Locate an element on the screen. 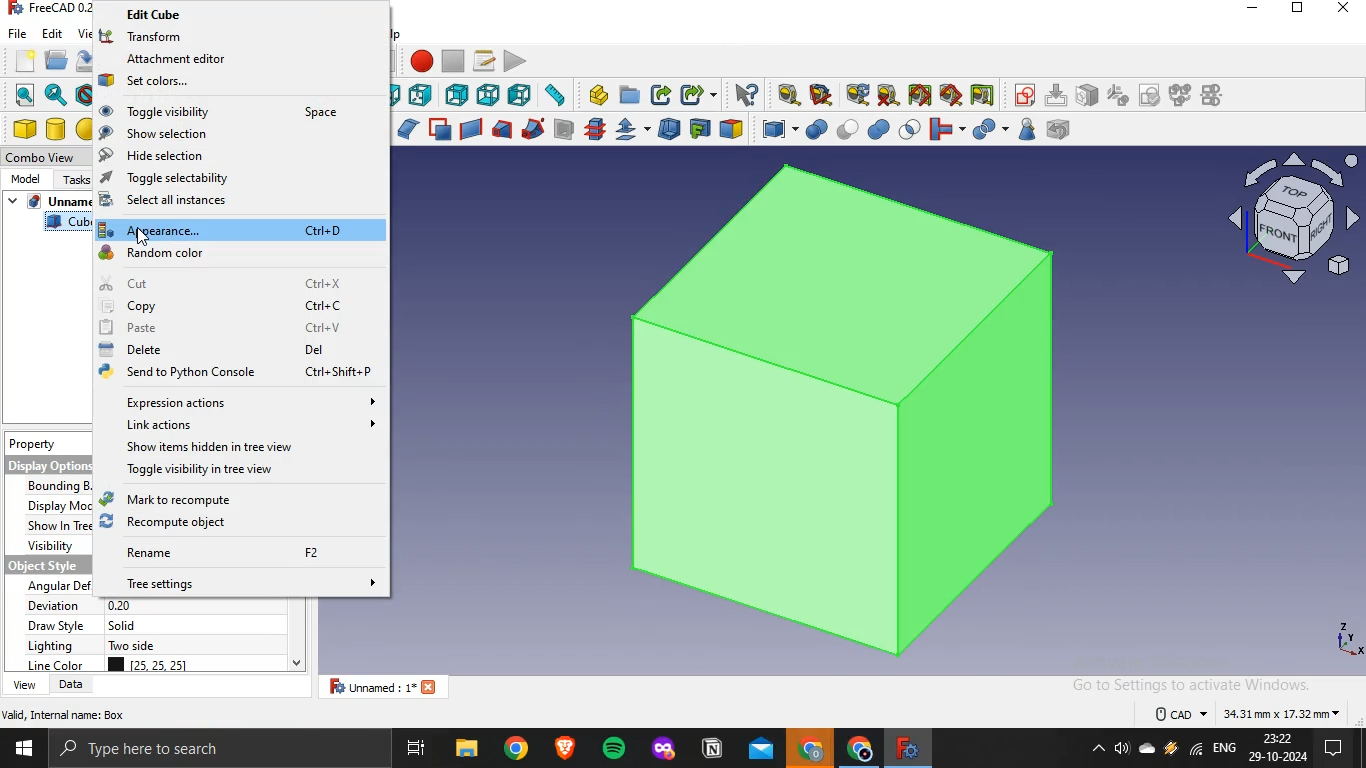  join objects is located at coordinates (945, 127).